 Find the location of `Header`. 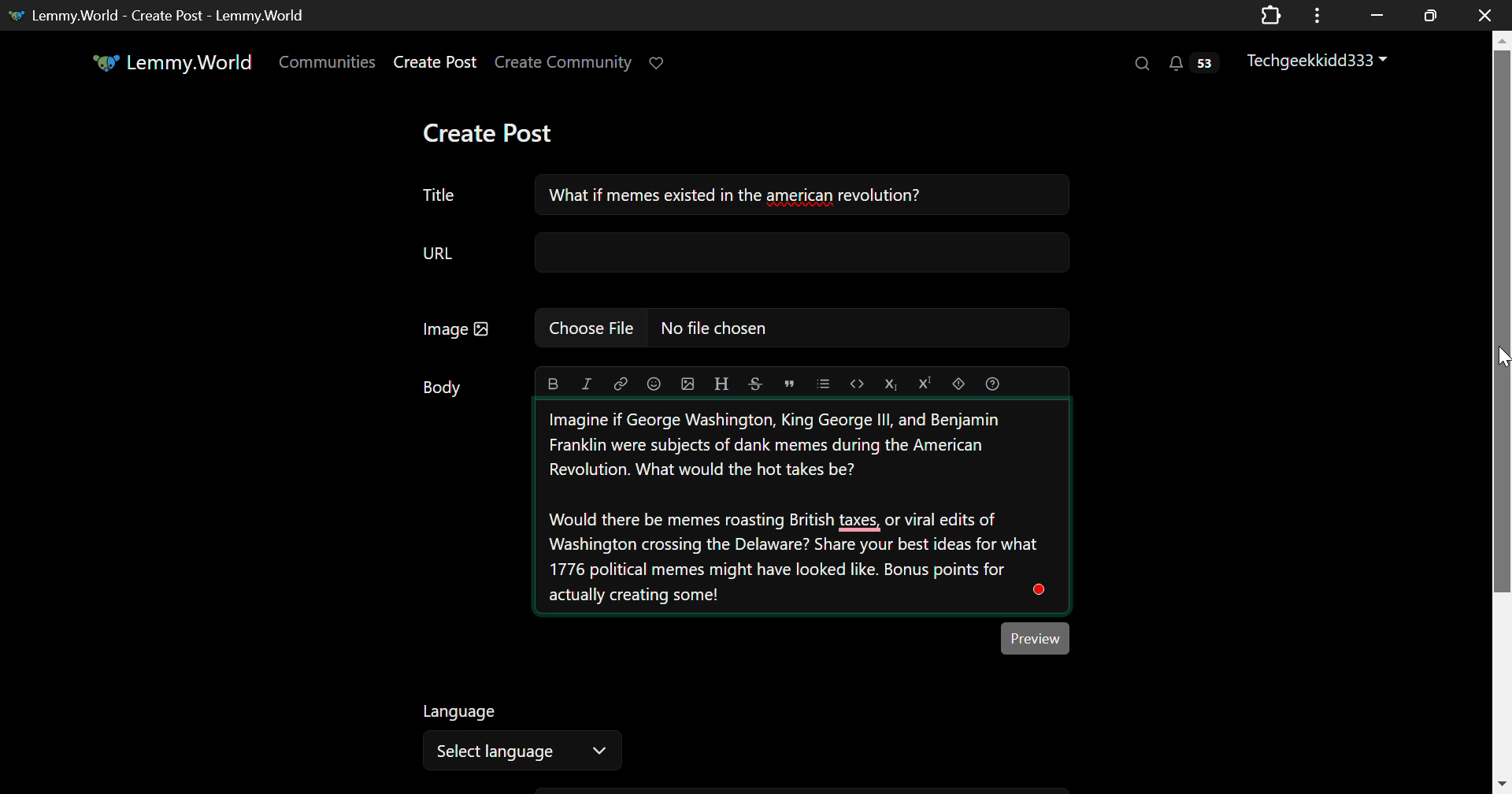

Header is located at coordinates (722, 384).